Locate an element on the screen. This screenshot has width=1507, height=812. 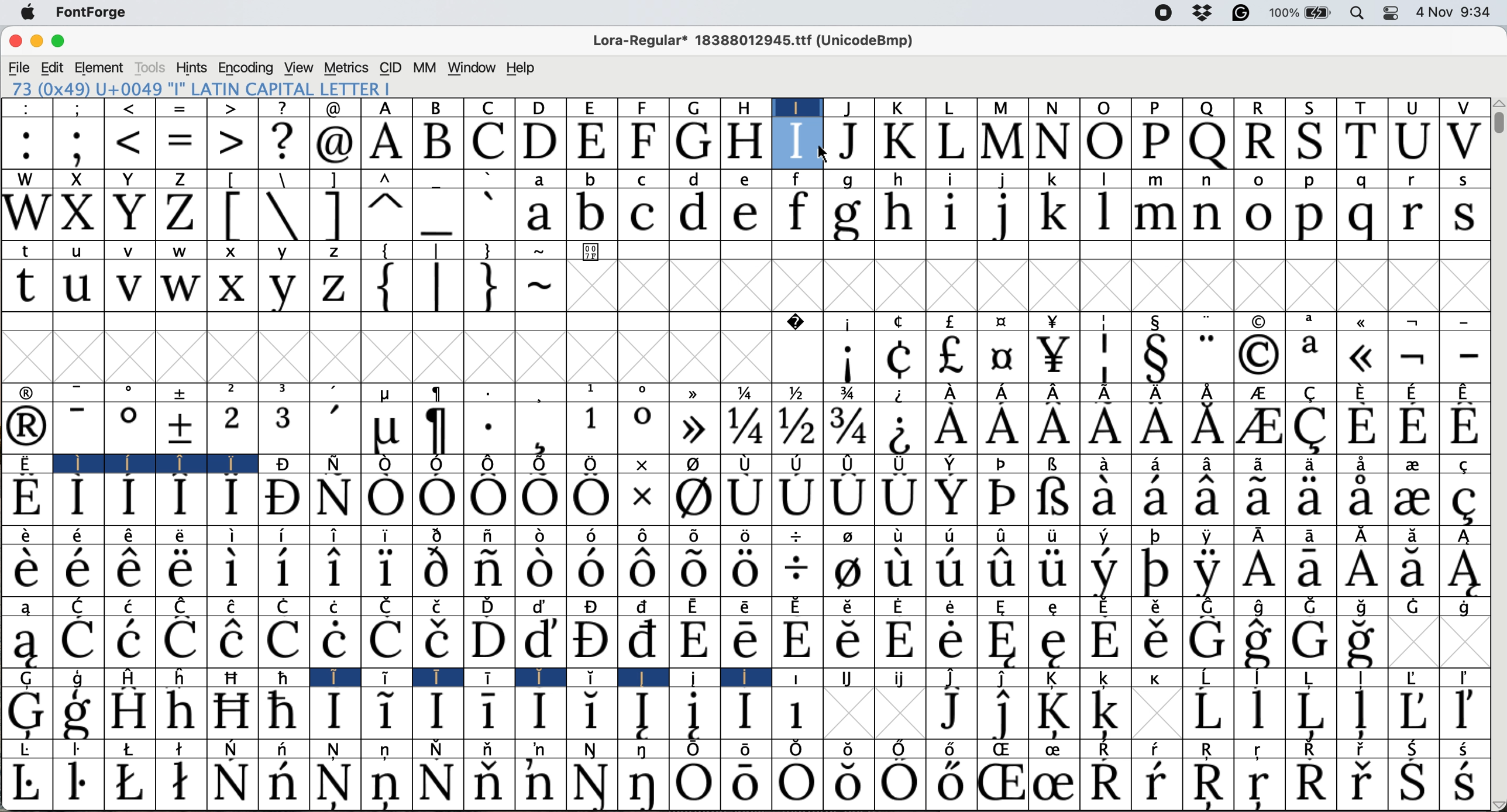
Symbol is located at coordinates (538, 641).